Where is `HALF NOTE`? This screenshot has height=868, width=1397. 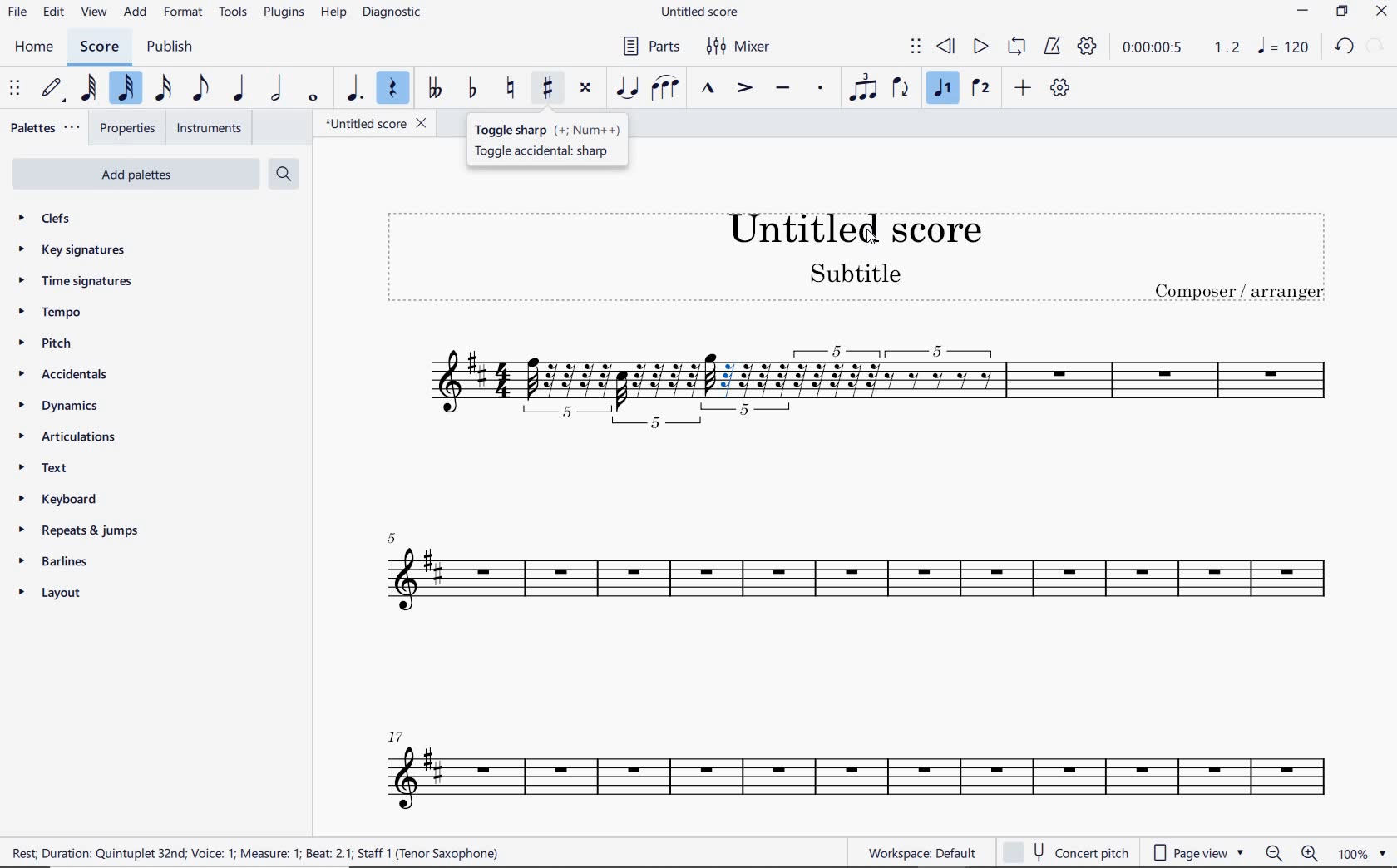
HALF NOTE is located at coordinates (277, 91).